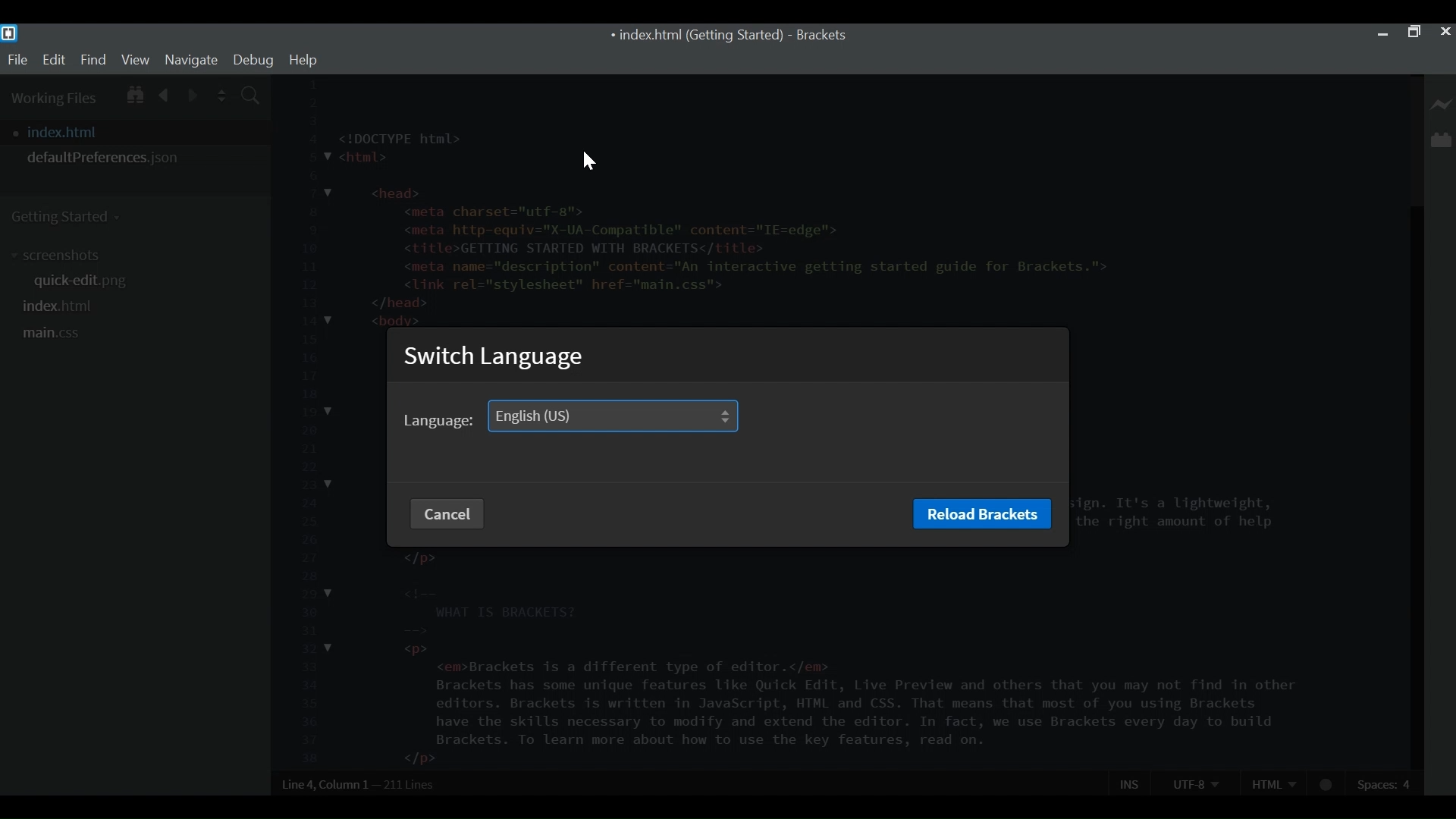 This screenshot has width=1456, height=819. I want to click on Find in Files, so click(252, 97).